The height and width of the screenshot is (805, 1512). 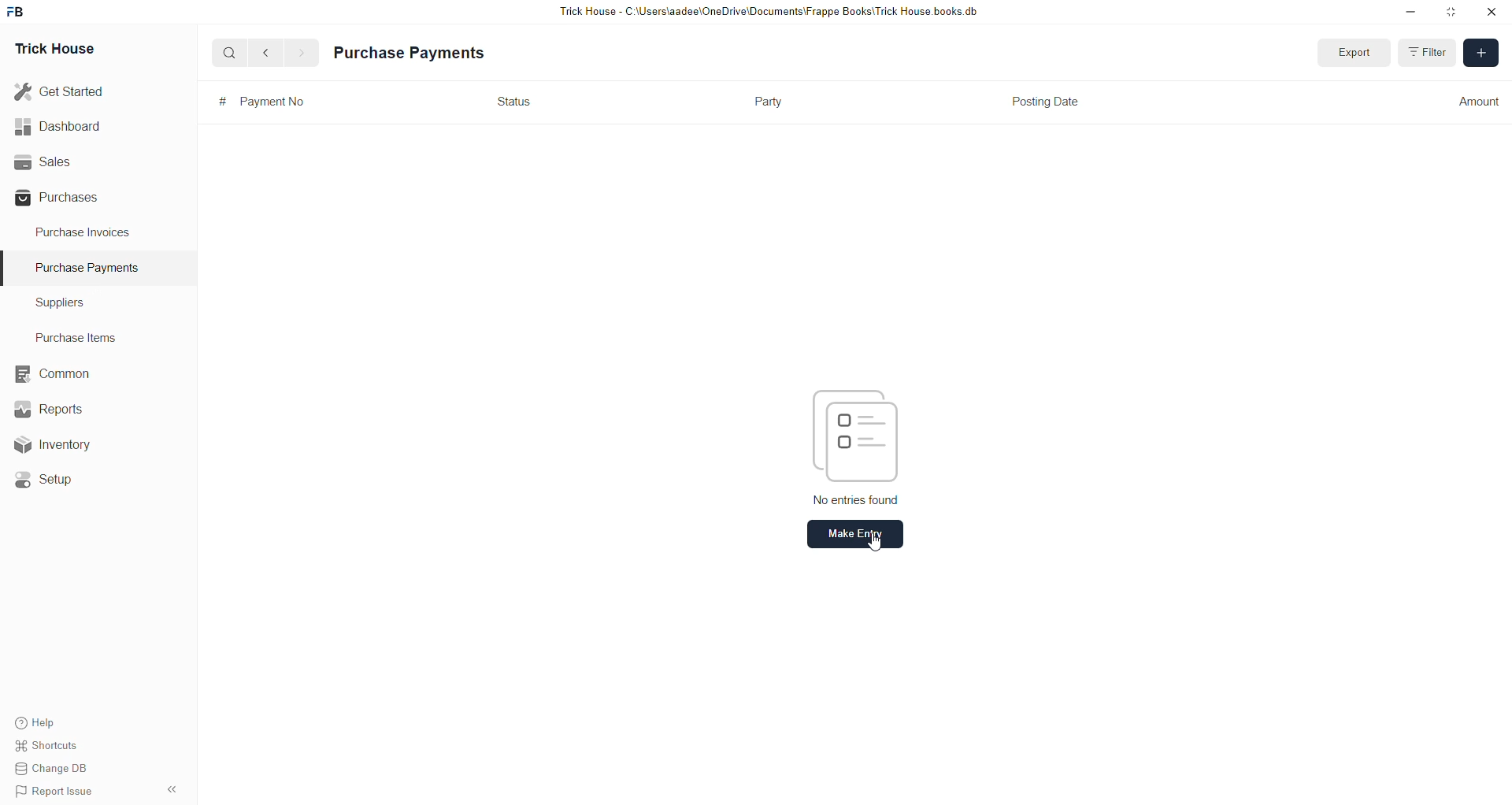 I want to click on Setup, so click(x=43, y=478).